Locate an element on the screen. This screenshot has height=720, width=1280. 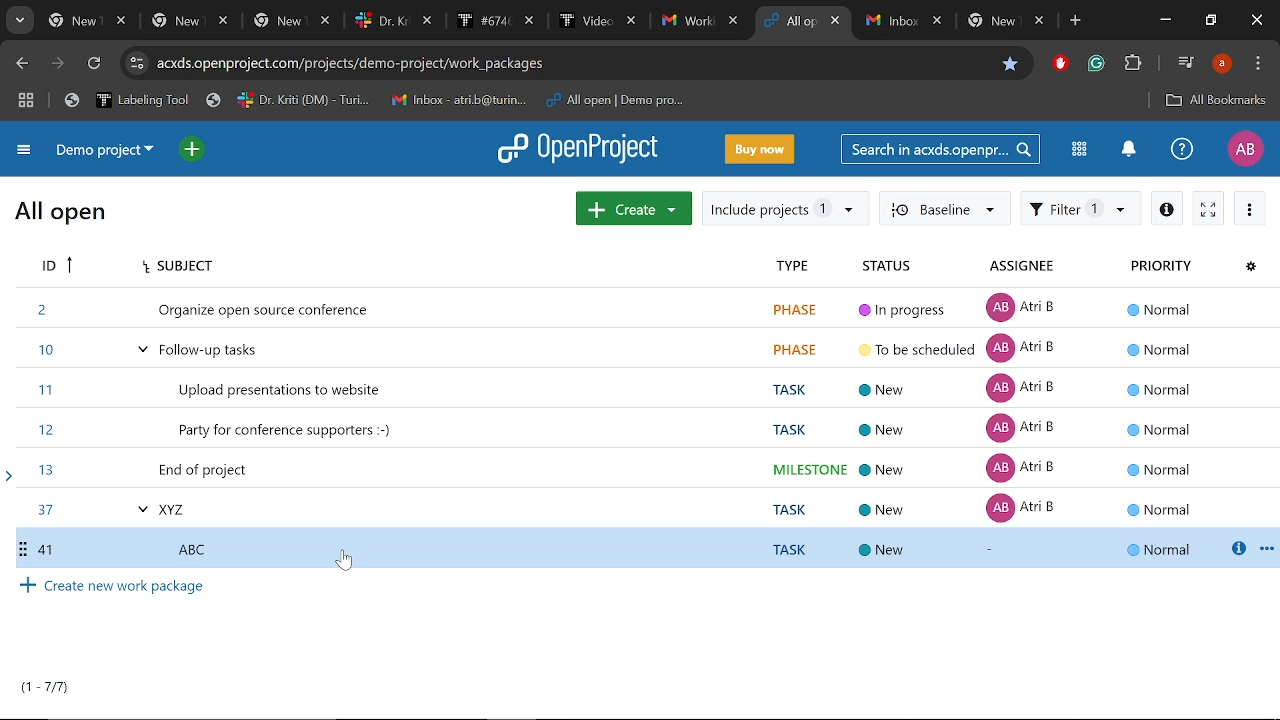
Customize and control chrome is located at coordinates (1258, 63).